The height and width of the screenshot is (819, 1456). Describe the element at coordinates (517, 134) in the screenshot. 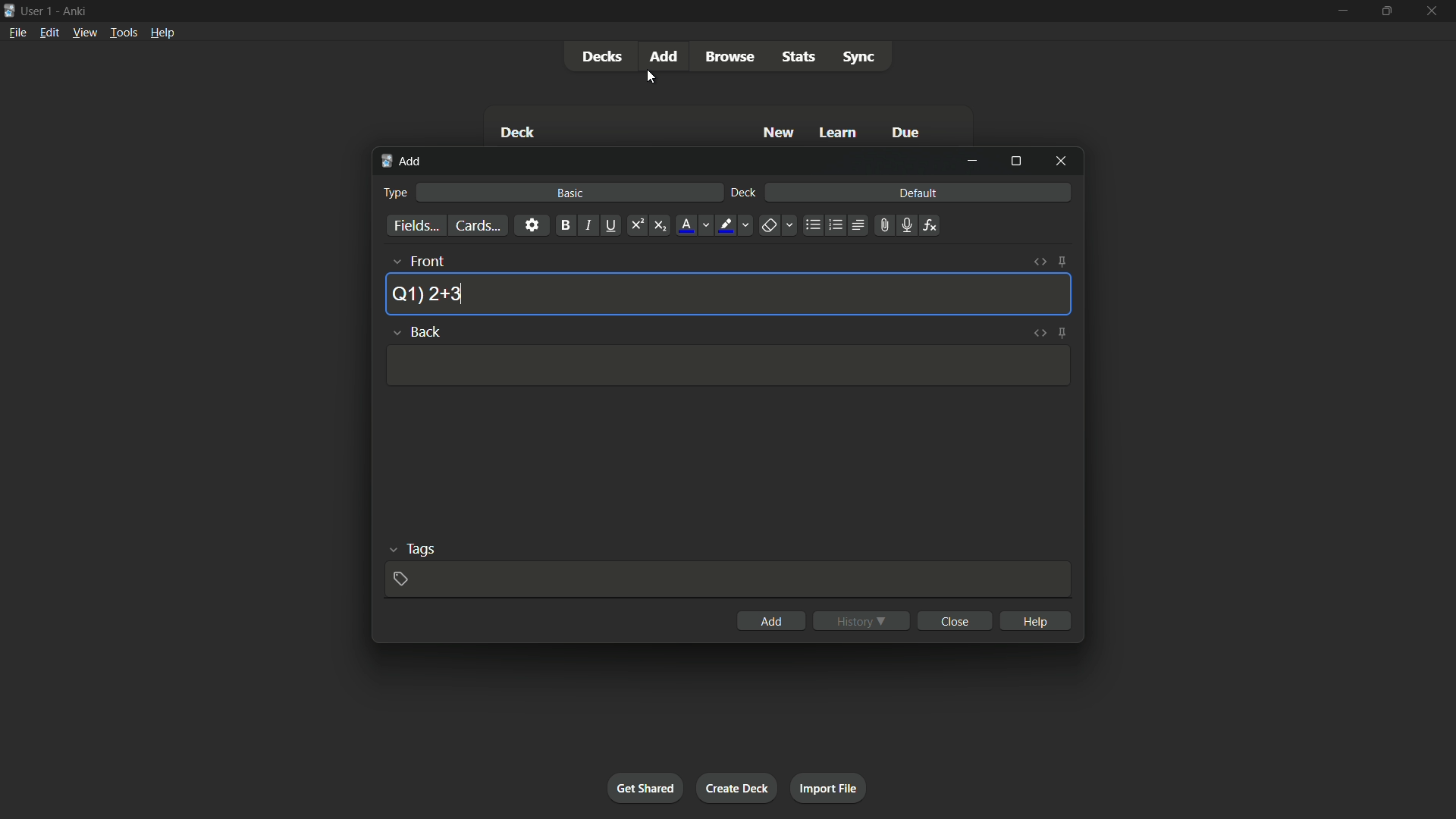

I see `deck` at that location.